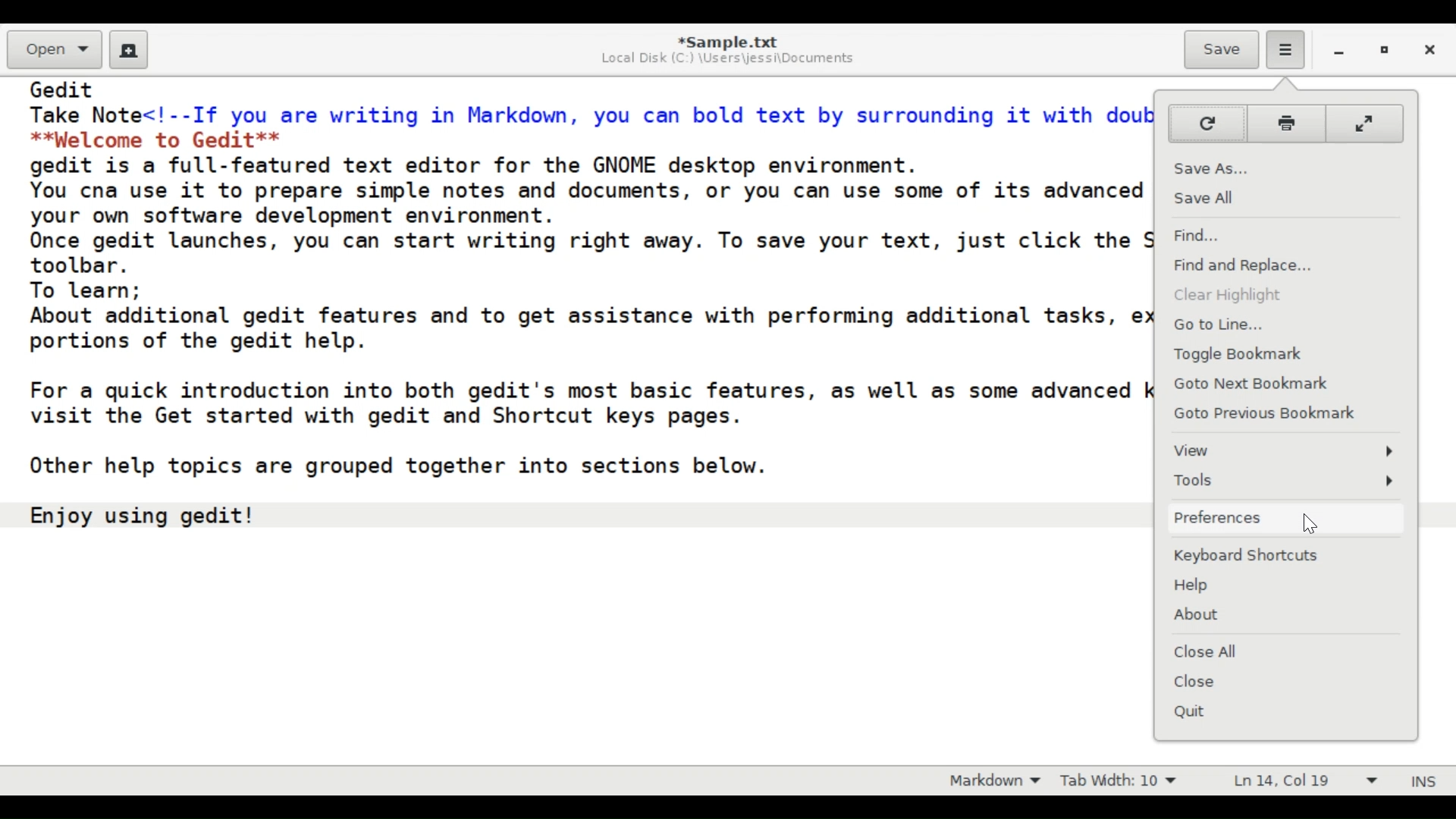  What do you see at coordinates (1282, 234) in the screenshot?
I see `Find` at bounding box center [1282, 234].